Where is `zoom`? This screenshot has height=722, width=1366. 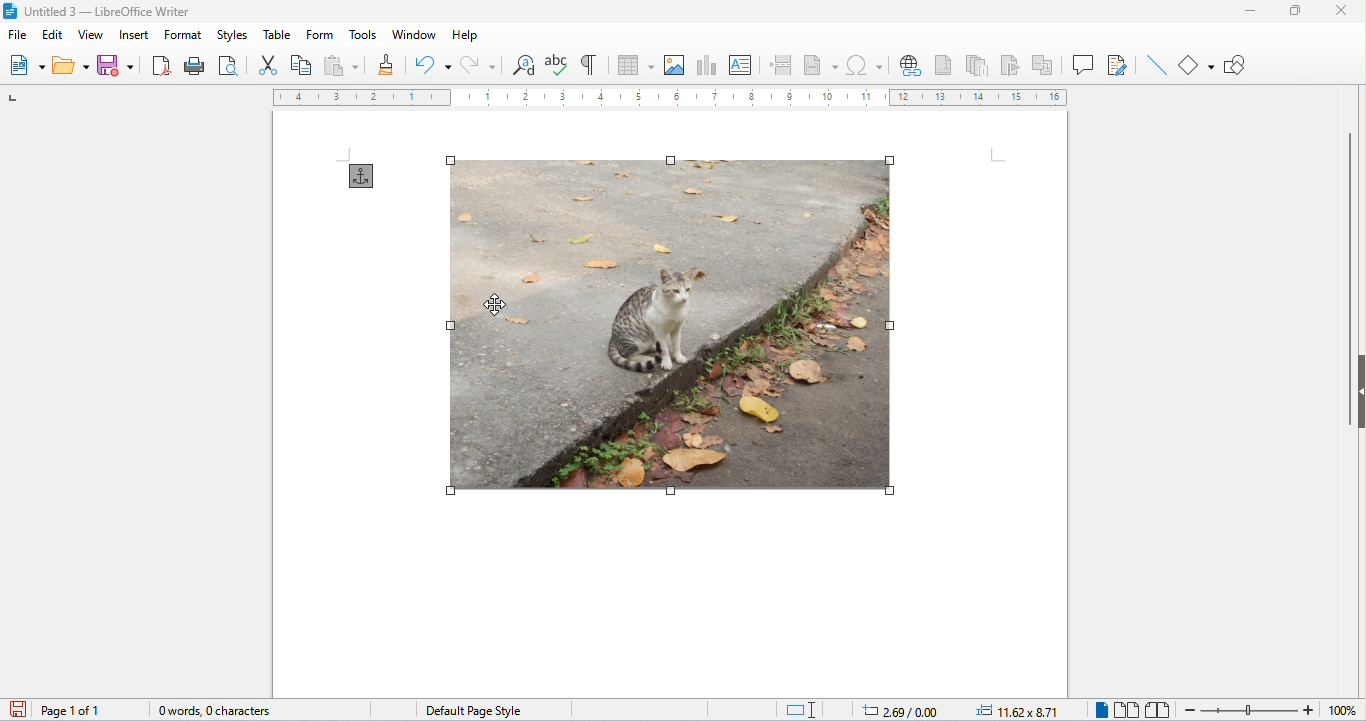 zoom is located at coordinates (1265, 709).